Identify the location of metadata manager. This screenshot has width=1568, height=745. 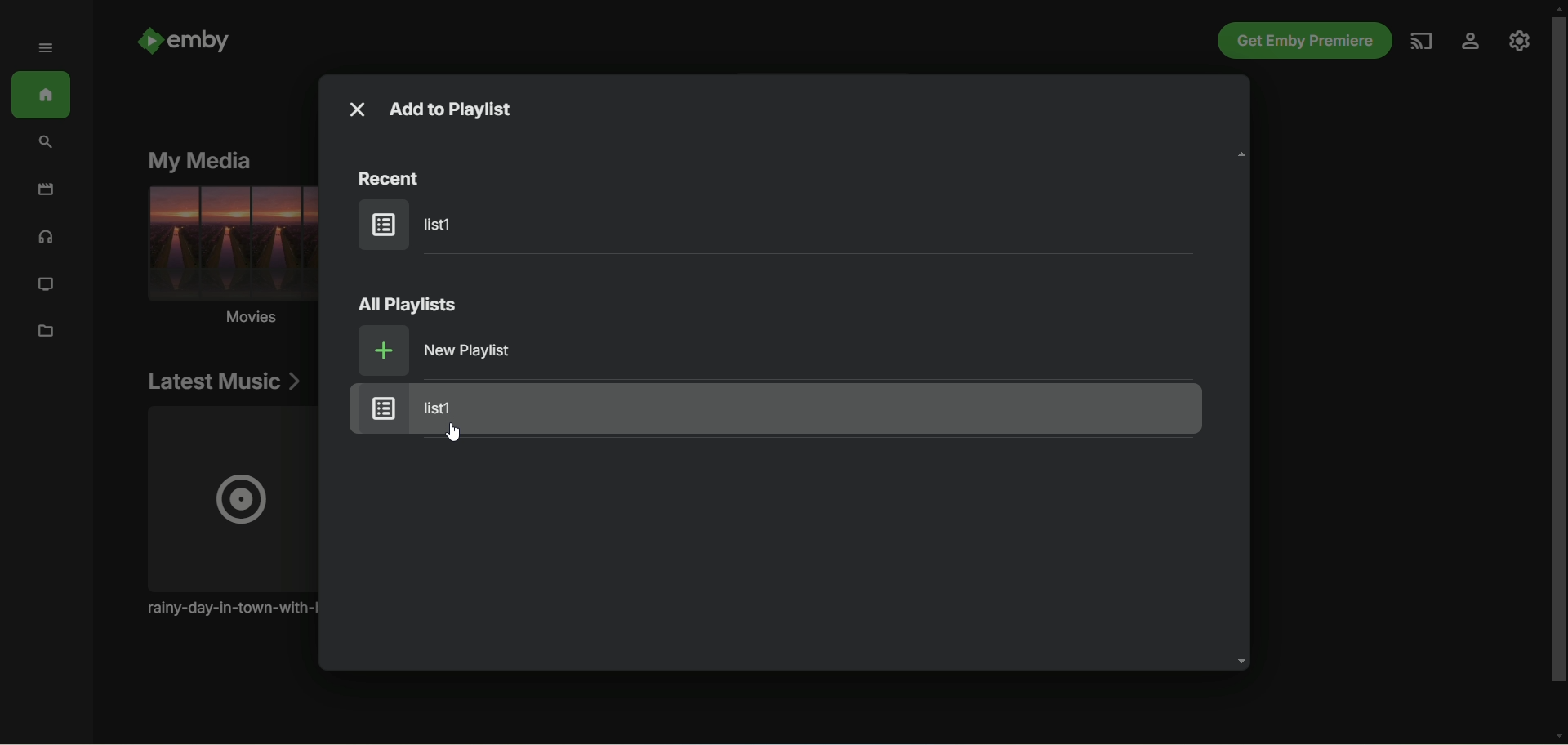
(47, 333).